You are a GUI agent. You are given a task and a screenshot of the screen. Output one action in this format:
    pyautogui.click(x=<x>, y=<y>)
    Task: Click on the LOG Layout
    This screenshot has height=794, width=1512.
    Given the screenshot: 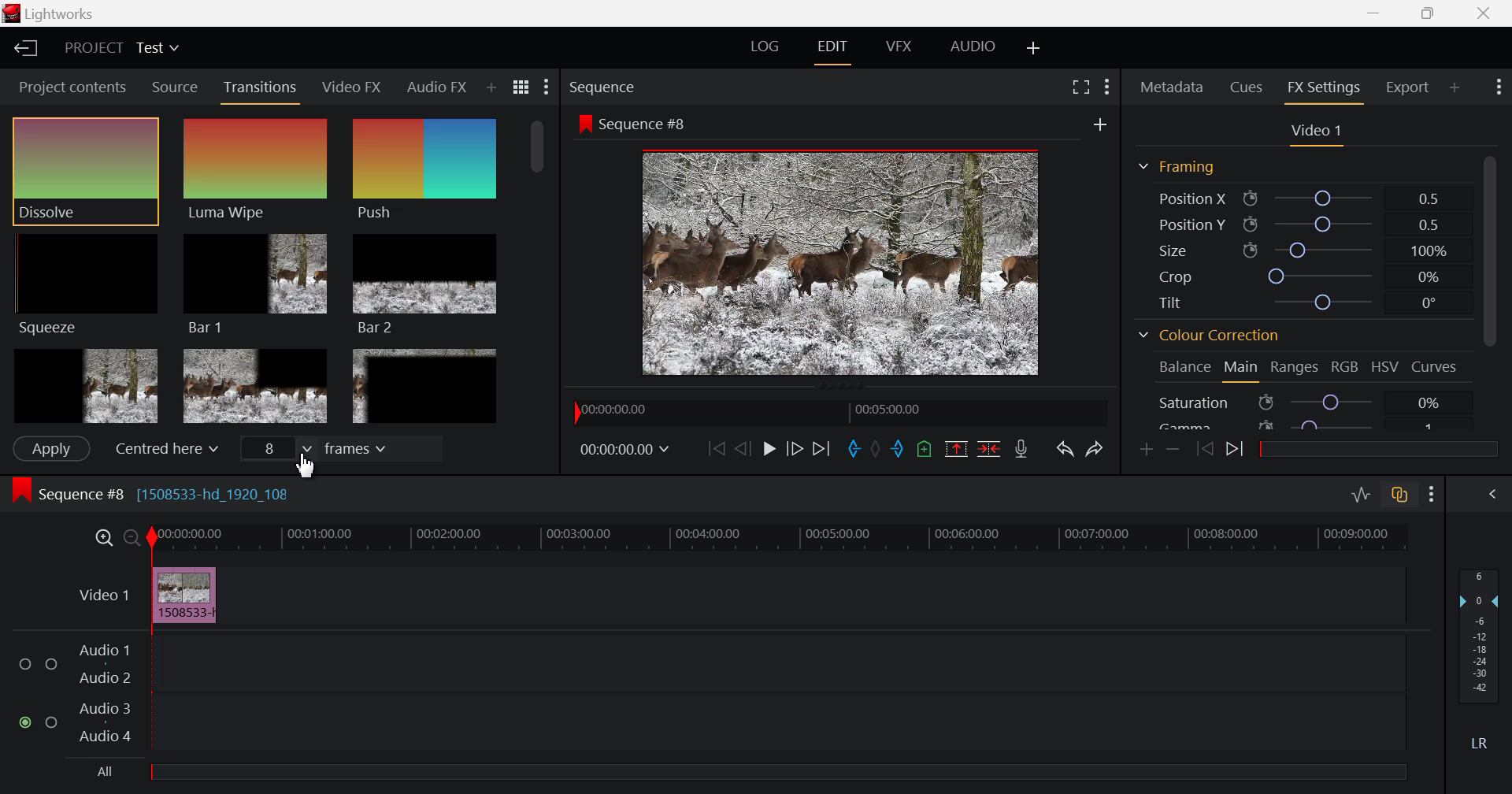 What is the action you would take?
    pyautogui.click(x=767, y=46)
    